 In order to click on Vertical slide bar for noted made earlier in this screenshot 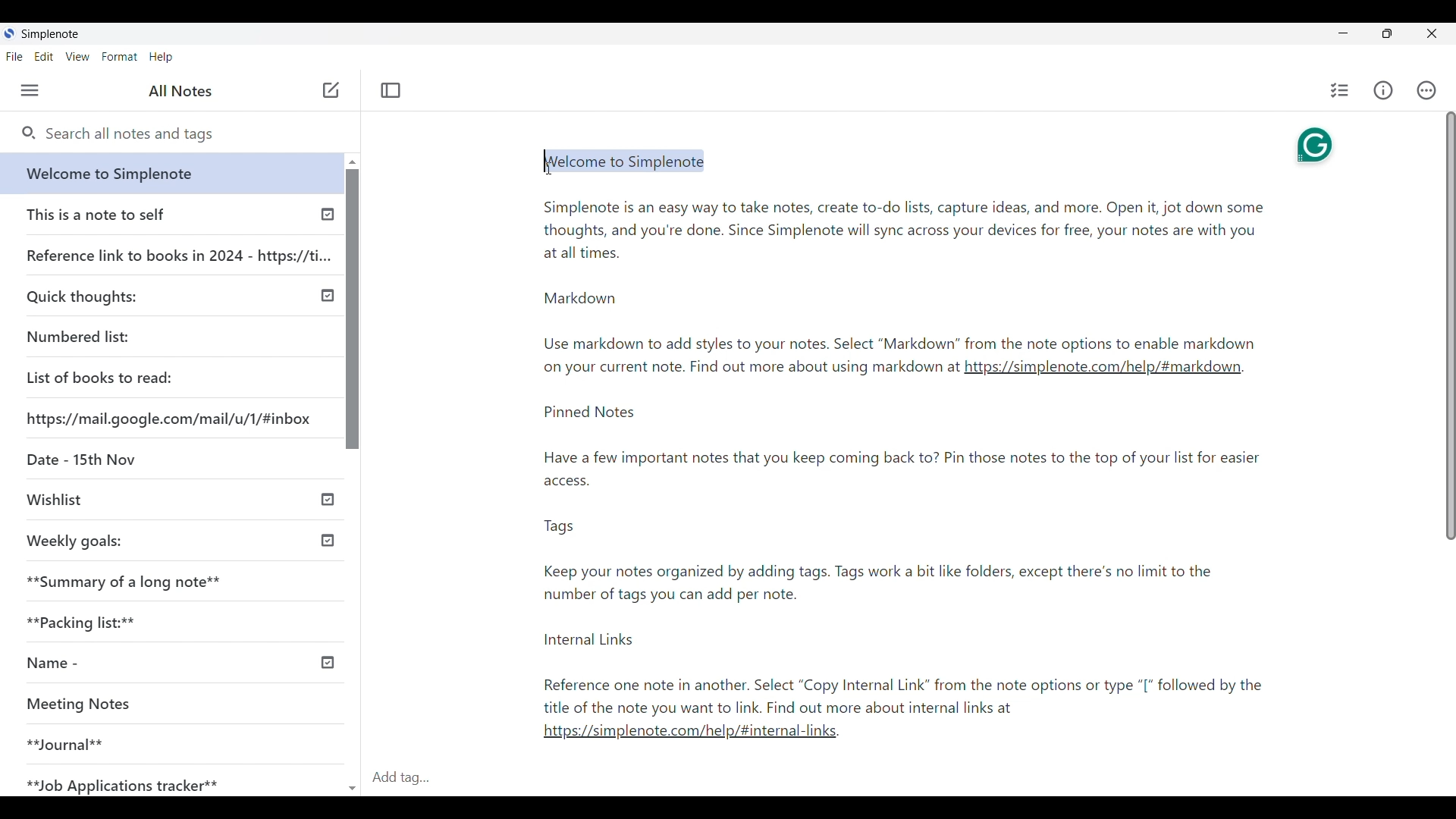, I will do `click(350, 309)`.